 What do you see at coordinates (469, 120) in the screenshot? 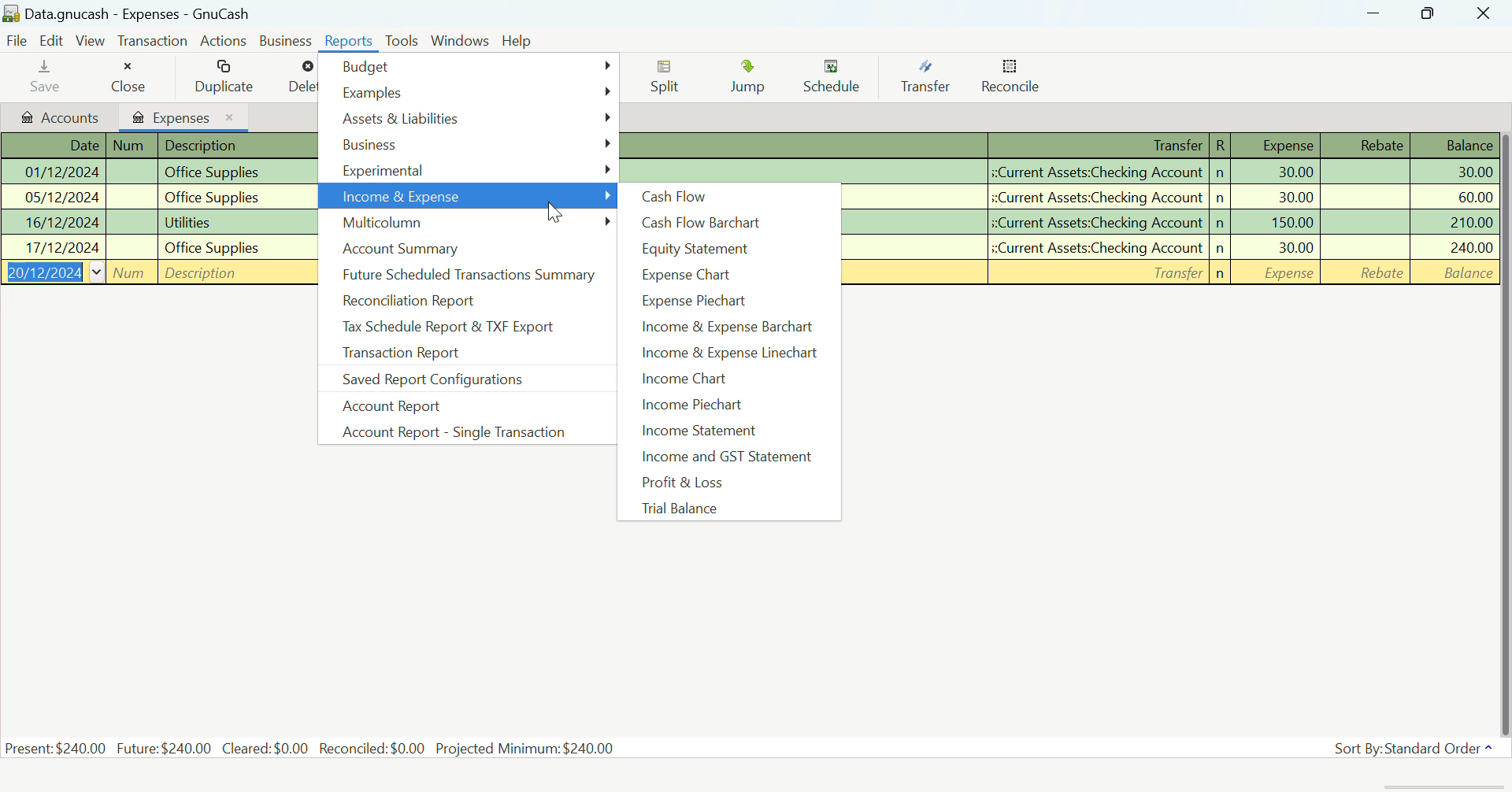
I see `Assets & Liabilities` at bounding box center [469, 120].